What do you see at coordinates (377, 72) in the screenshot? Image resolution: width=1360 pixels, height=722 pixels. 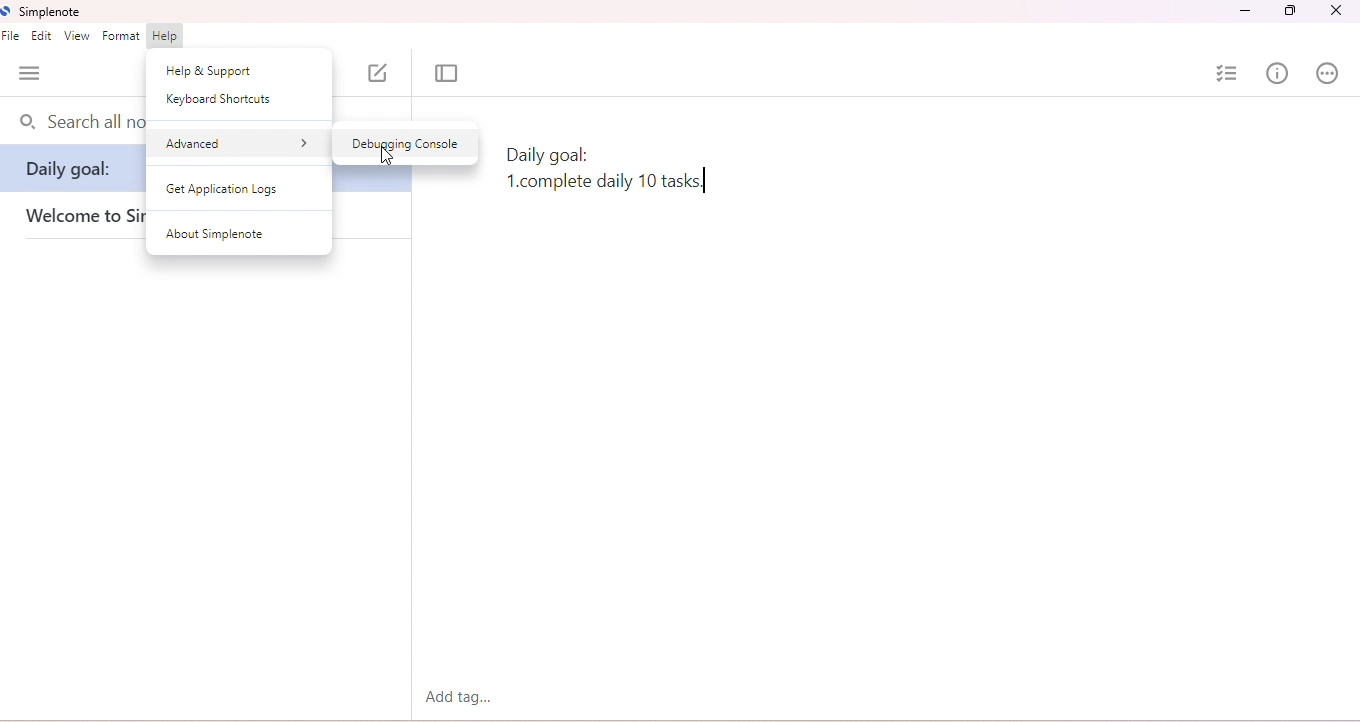 I see `new note` at bounding box center [377, 72].